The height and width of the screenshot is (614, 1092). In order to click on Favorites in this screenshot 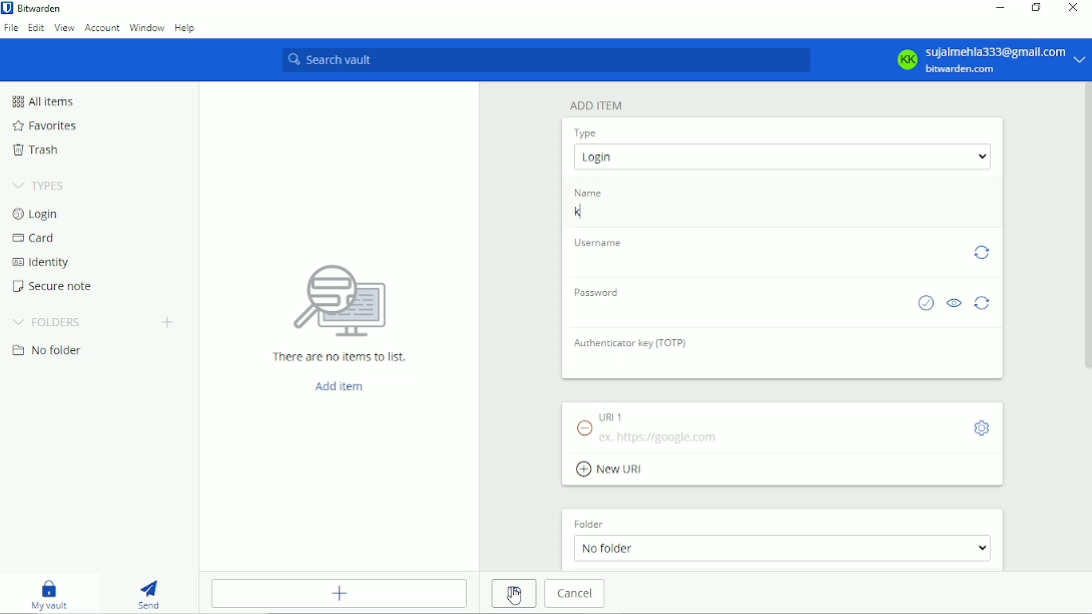, I will do `click(43, 126)`.